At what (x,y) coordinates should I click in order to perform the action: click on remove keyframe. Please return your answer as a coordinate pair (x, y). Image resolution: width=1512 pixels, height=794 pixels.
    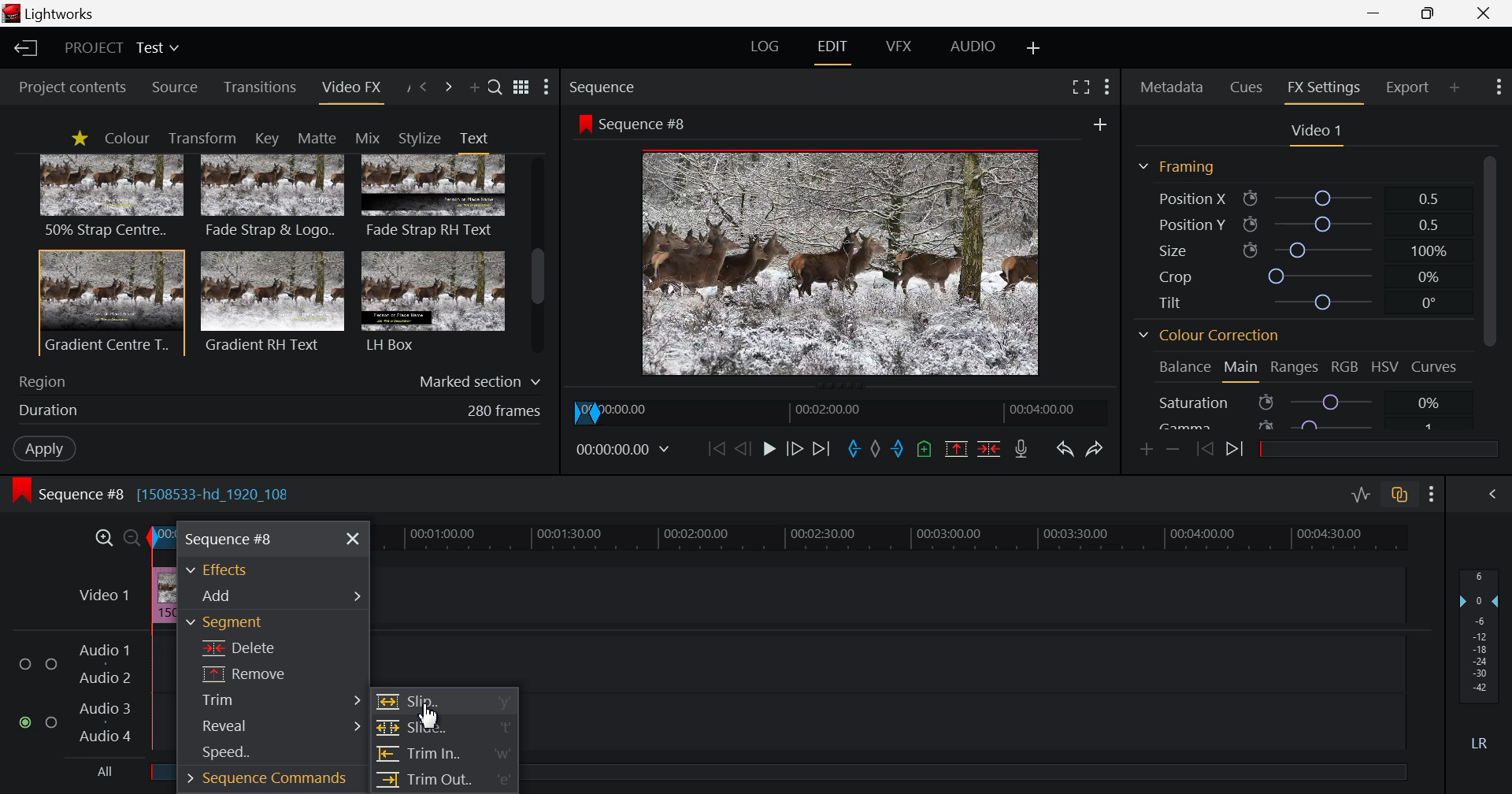
    Looking at the image, I should click on (1173, 449).